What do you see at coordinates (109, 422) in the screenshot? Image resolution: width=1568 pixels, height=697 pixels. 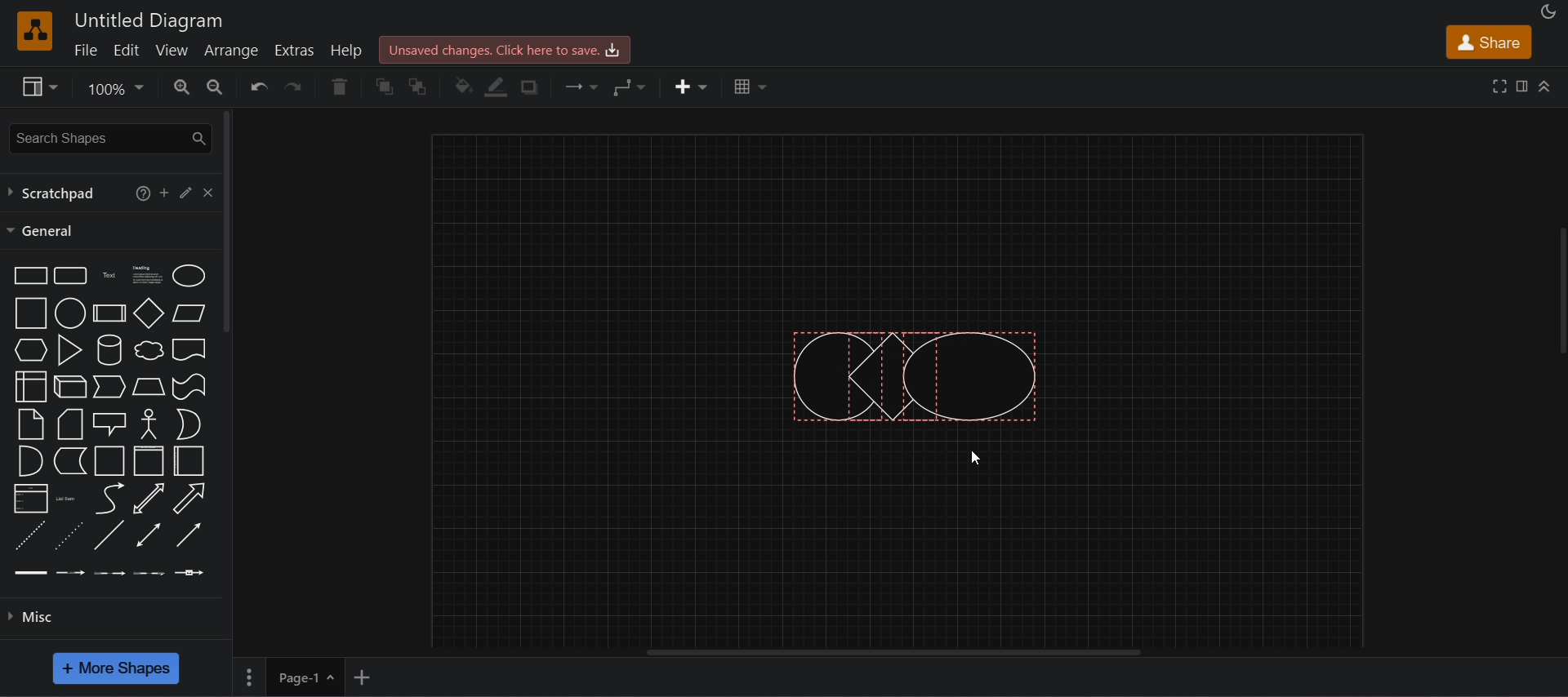 I see `call out` at bounding box center [109, 422].